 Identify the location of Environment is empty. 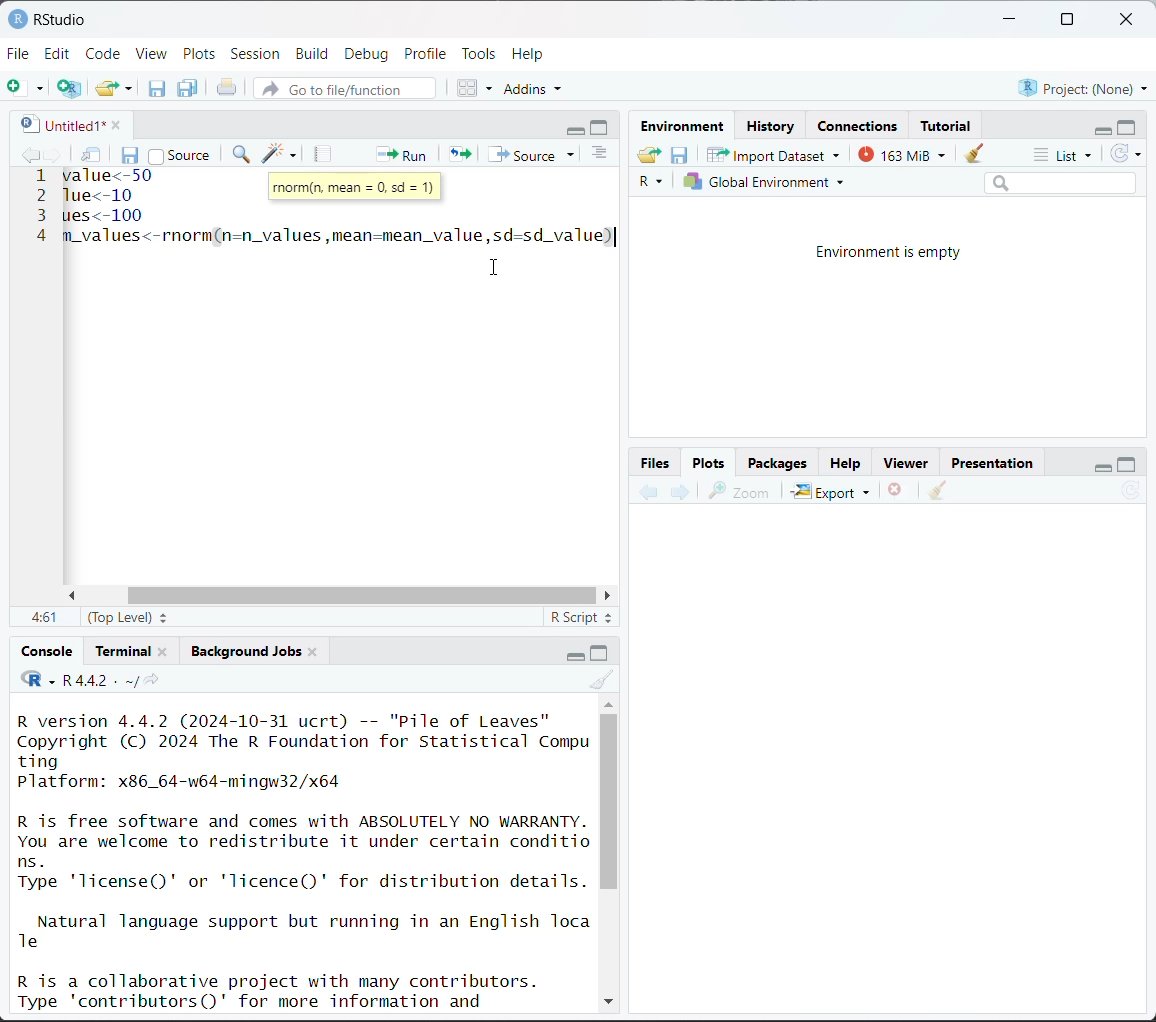
(890, 253).